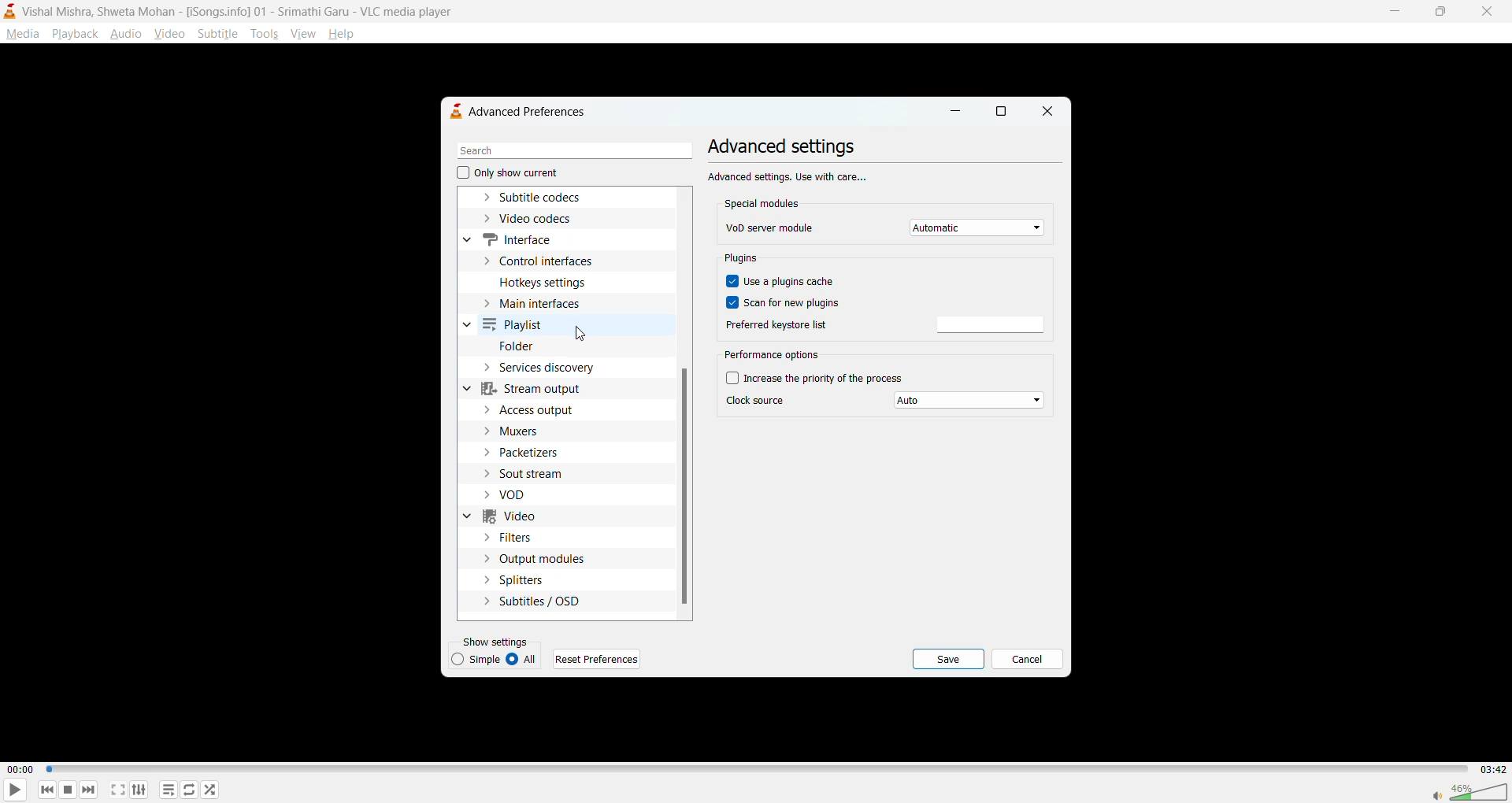  What do you see at coordinates (776, 323) in the screenshot?
I see `preferred keyword list` at bounding box center [776, 323].